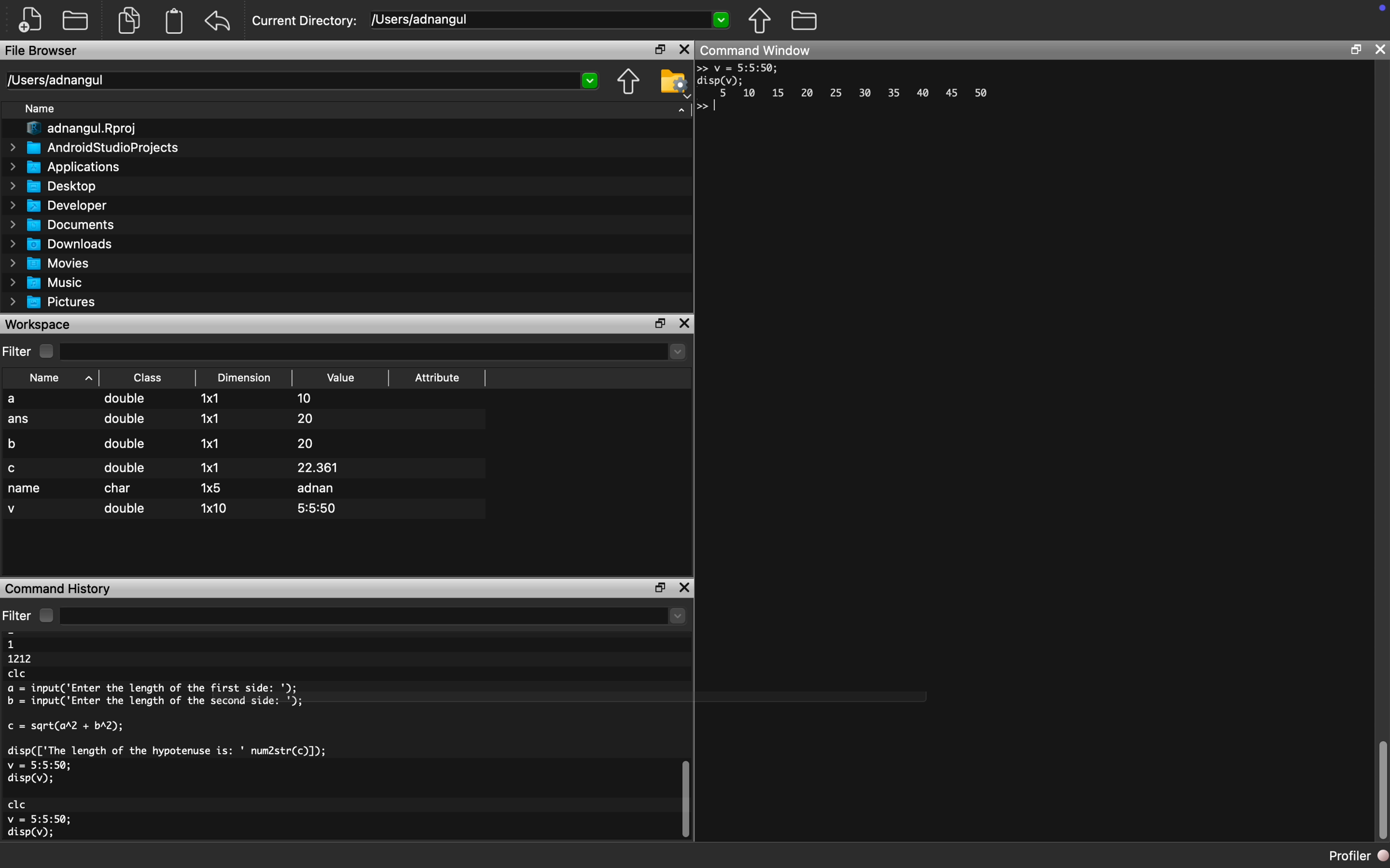  What do you see at coordinates (47, 282) in the screenshot?
I see `Music` at bounding box center [47, 282].